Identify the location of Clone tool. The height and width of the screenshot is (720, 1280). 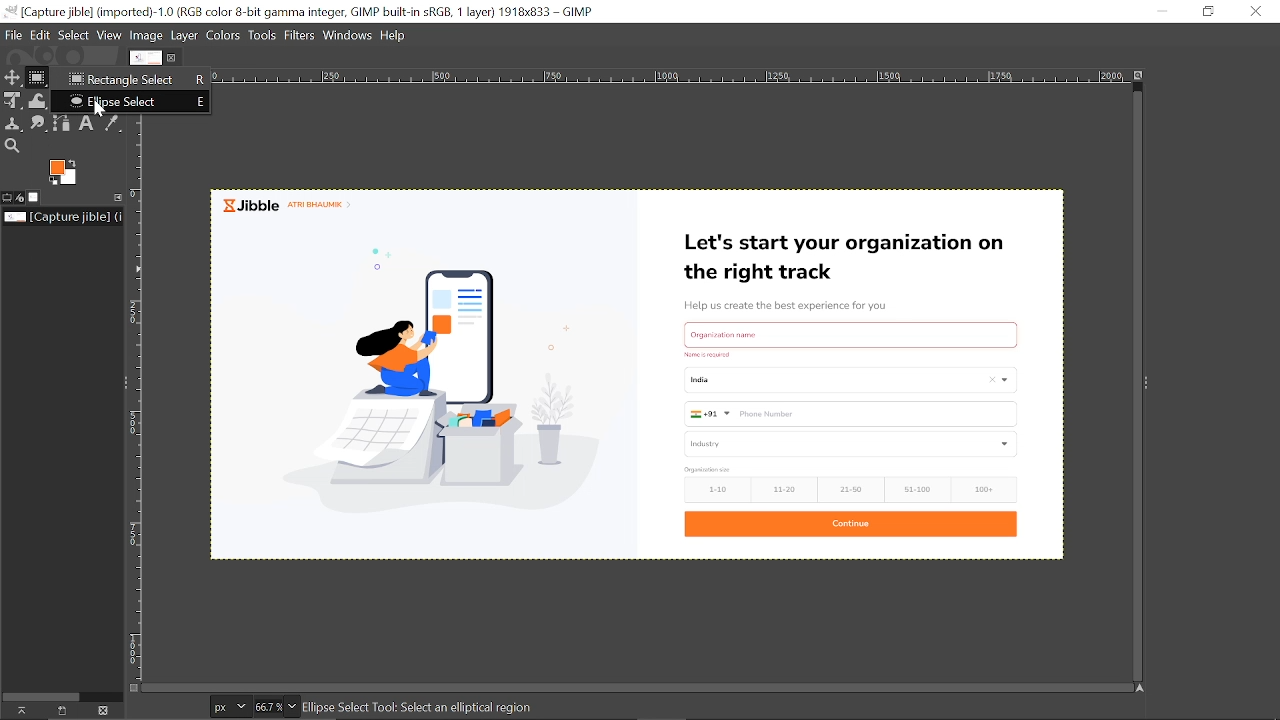
(16, 123).